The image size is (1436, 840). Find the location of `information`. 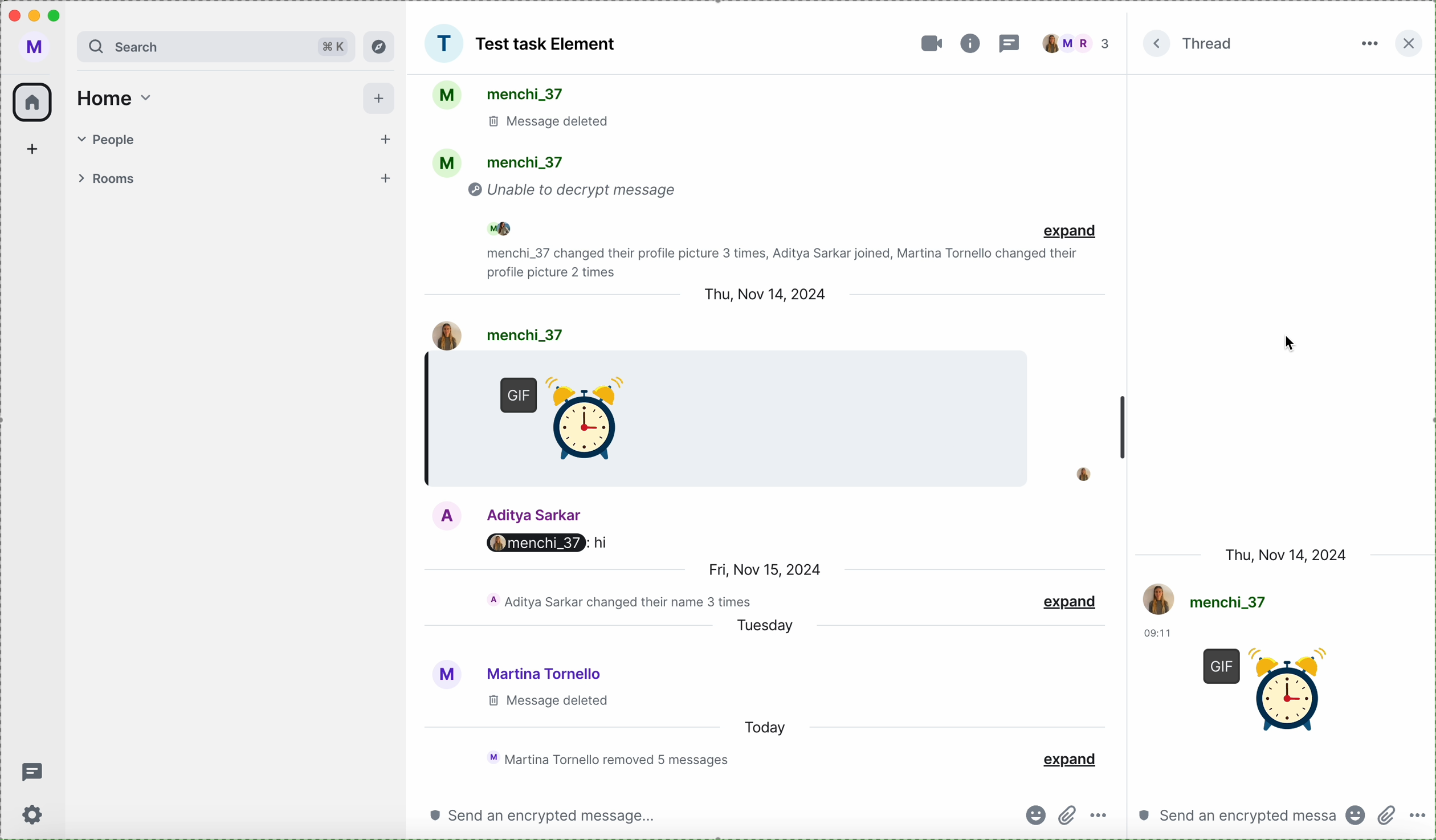

information is located at coordinates (970, 43).